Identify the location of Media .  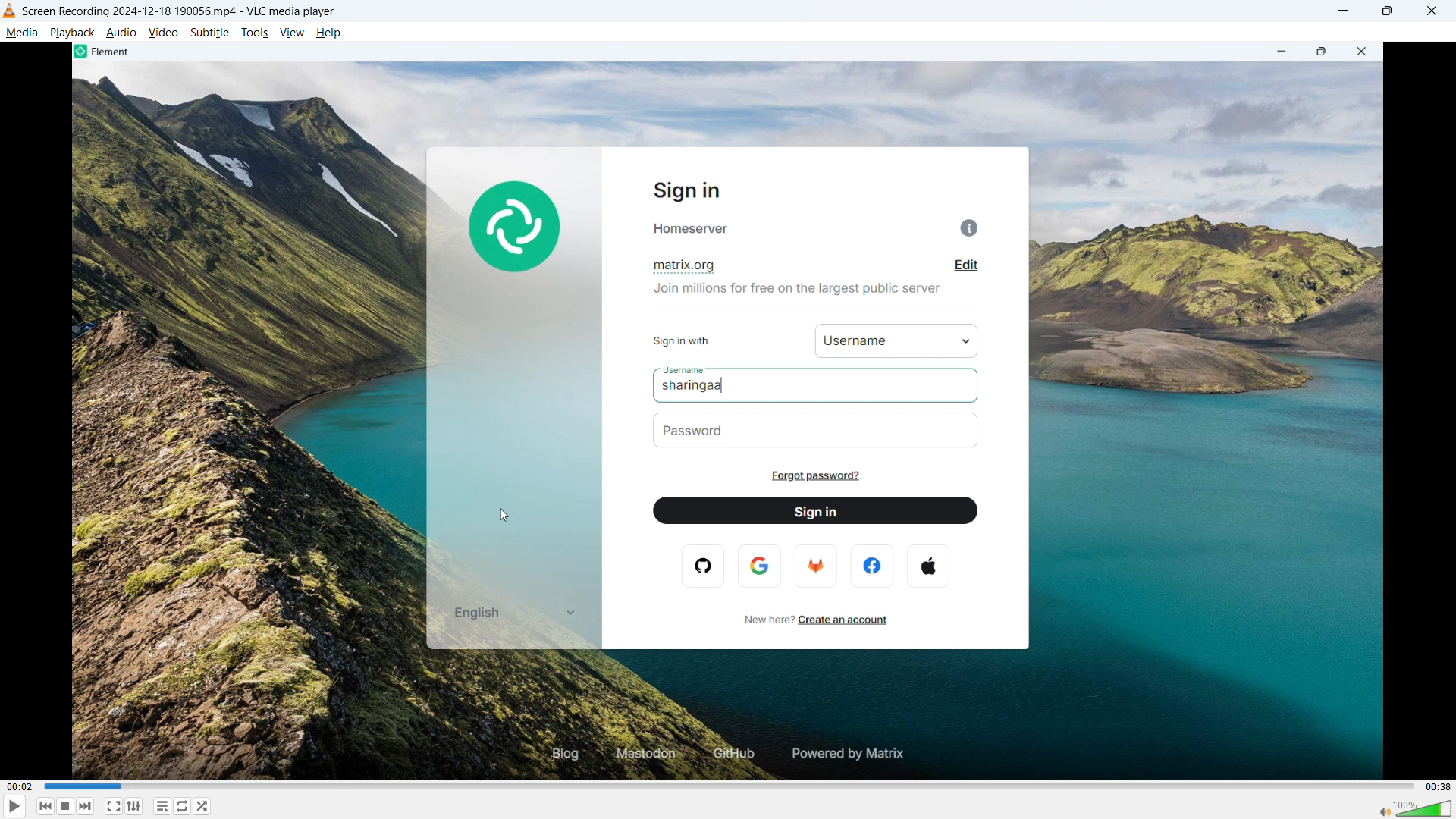
(21, 33).